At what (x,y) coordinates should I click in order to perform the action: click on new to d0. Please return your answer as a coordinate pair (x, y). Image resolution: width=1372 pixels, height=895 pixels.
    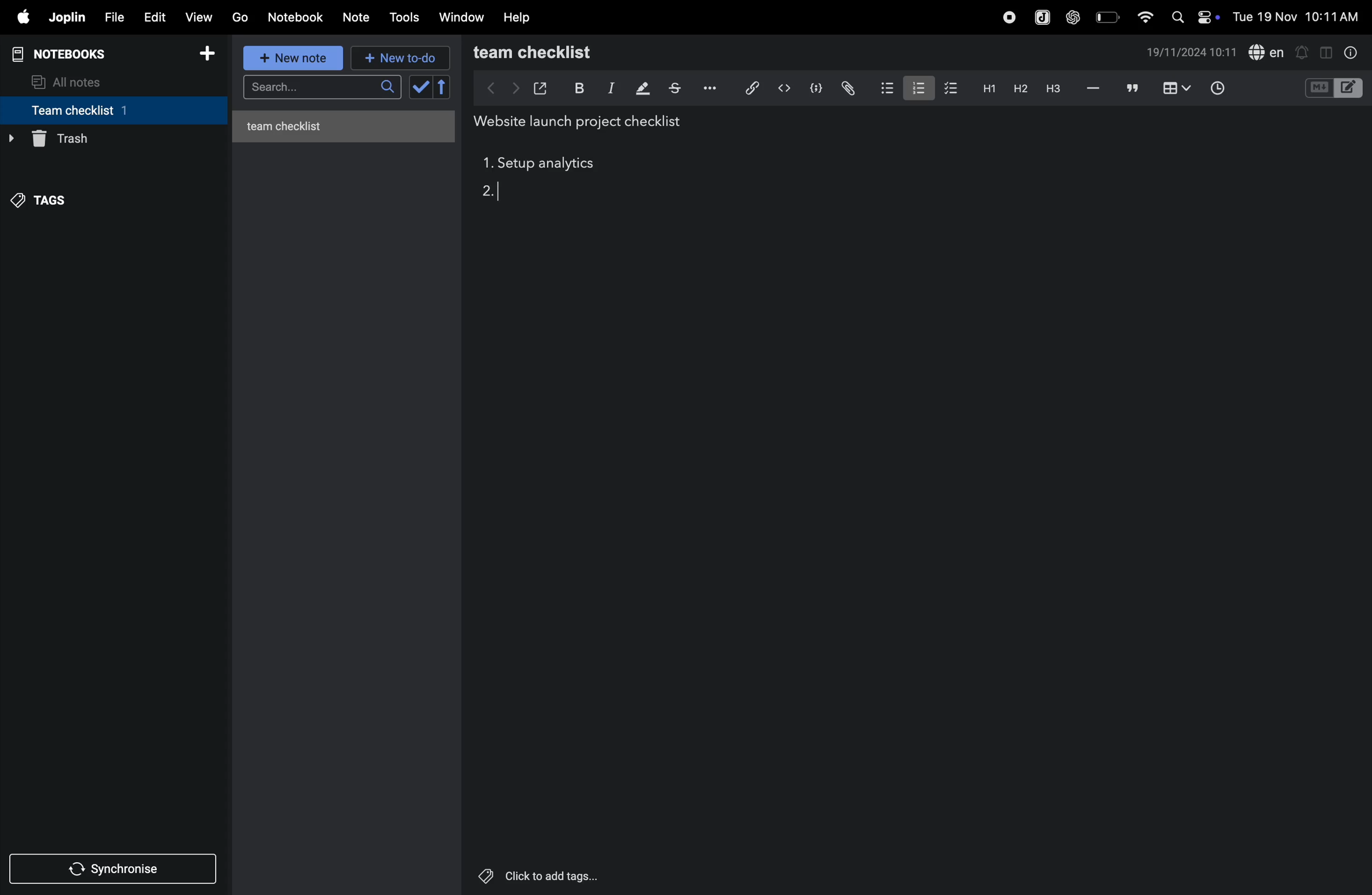
    Looking at the image, I should click on (398, 58).